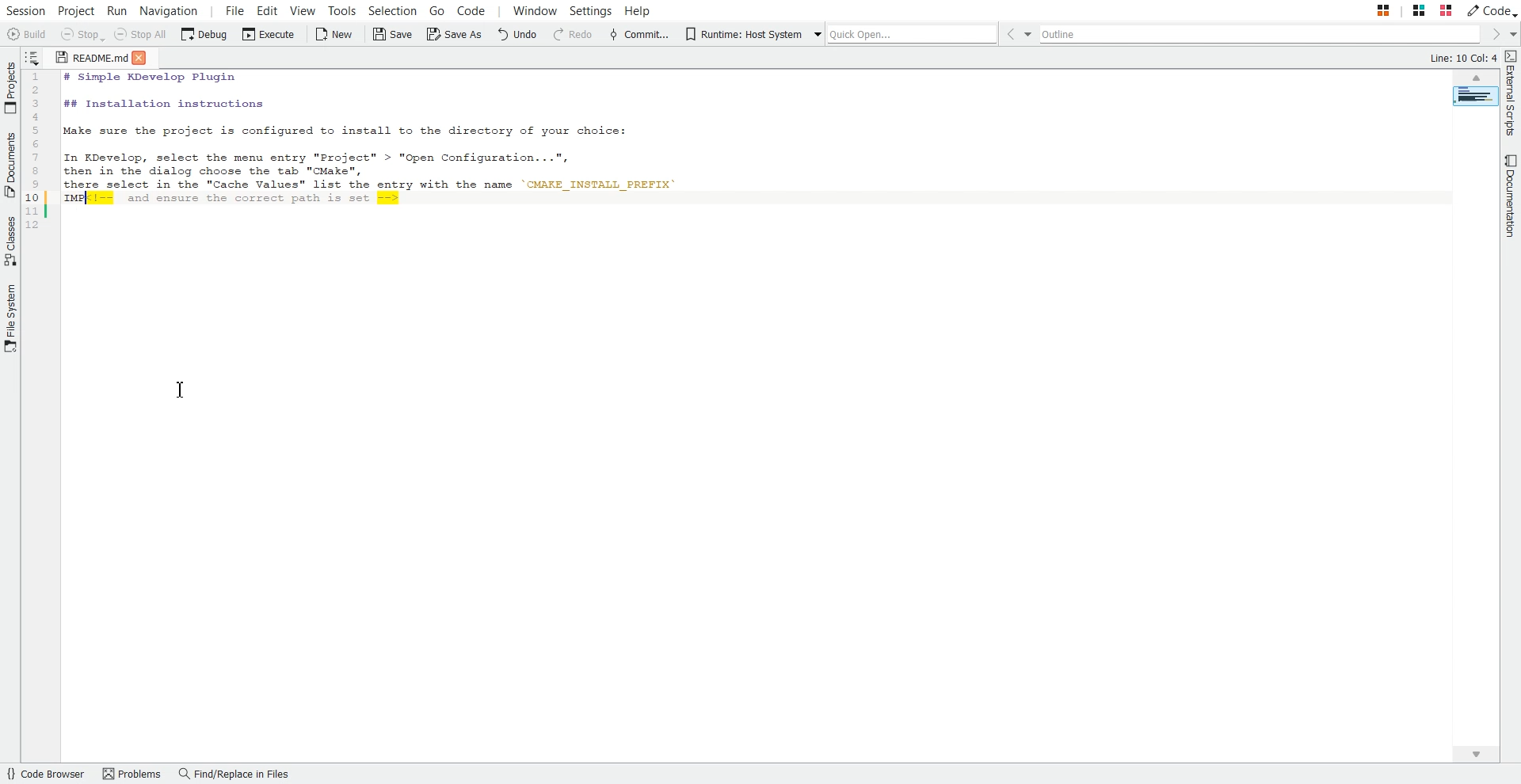 The image size is (1521, 784). What do you see at coordinates (318, 154) in the screenshot?
I see `In KDevelop, select the menu entry "Project" > "Open Configuation . ..",` at bounding box center [318, 154].